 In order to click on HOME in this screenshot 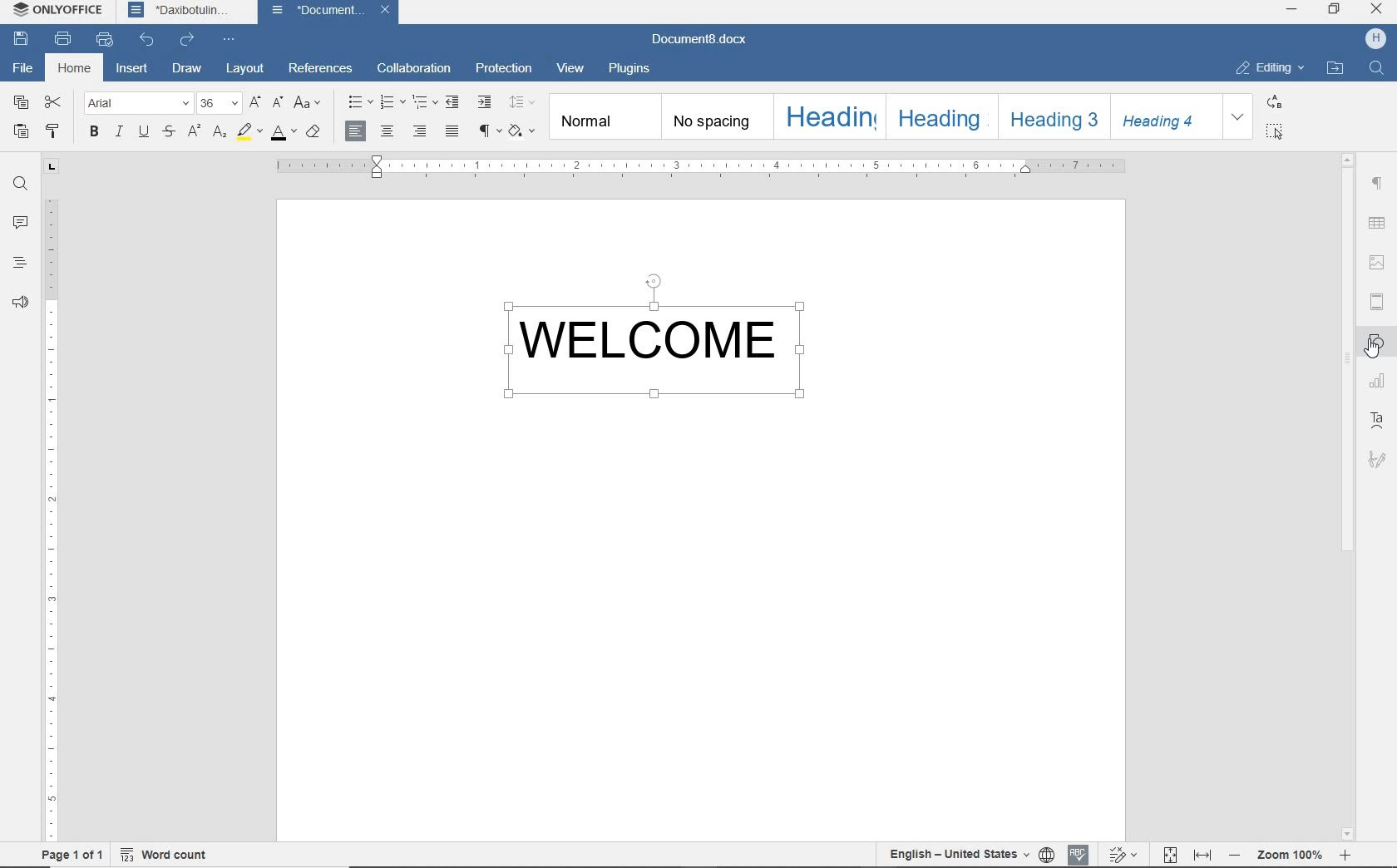, I will do `click(76, 69)`.